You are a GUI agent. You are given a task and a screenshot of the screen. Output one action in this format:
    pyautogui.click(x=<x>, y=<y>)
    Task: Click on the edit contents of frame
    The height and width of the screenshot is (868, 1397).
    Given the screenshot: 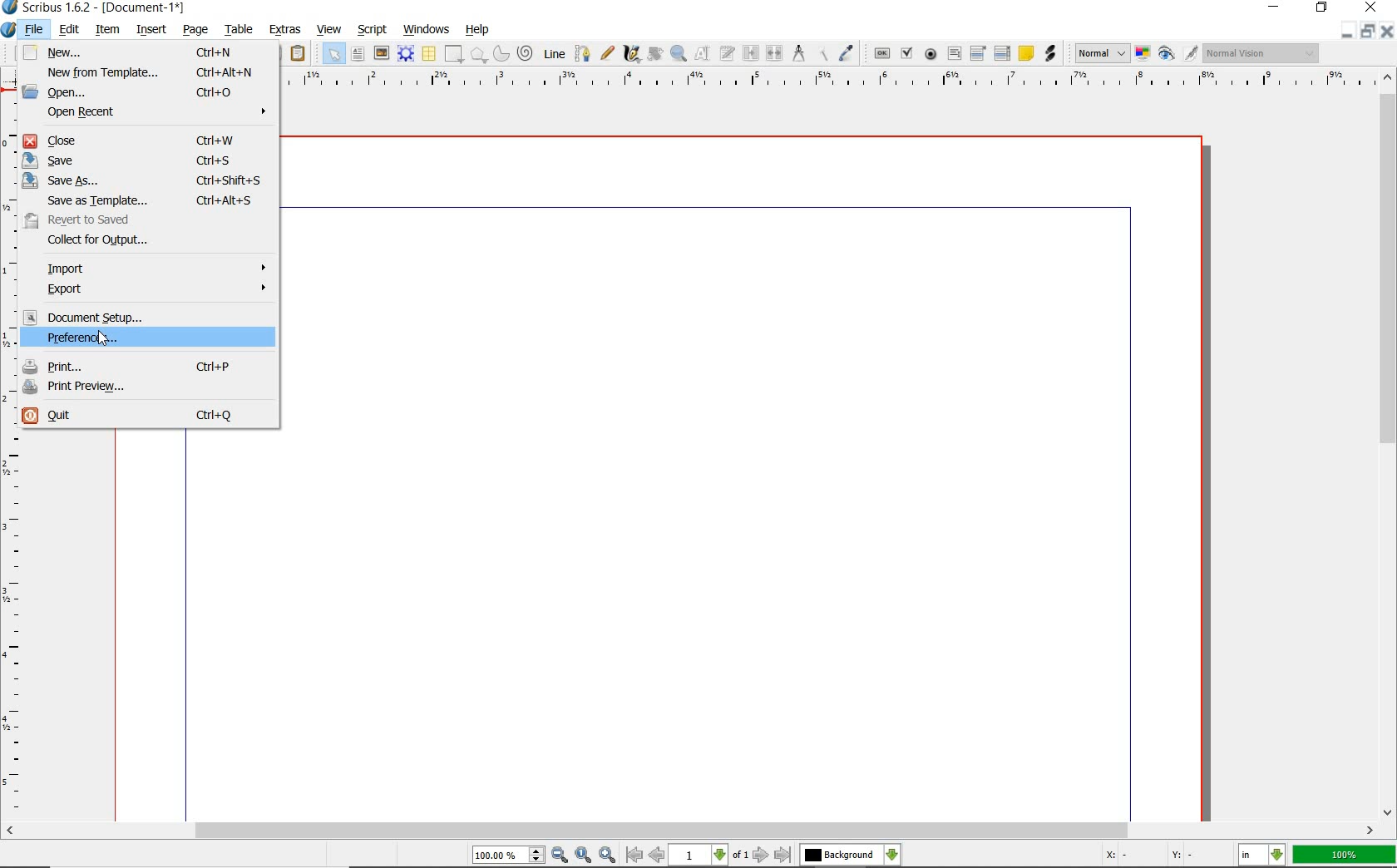 What is the action you would take?
    pyautogui.click(x=703, y=52)
    